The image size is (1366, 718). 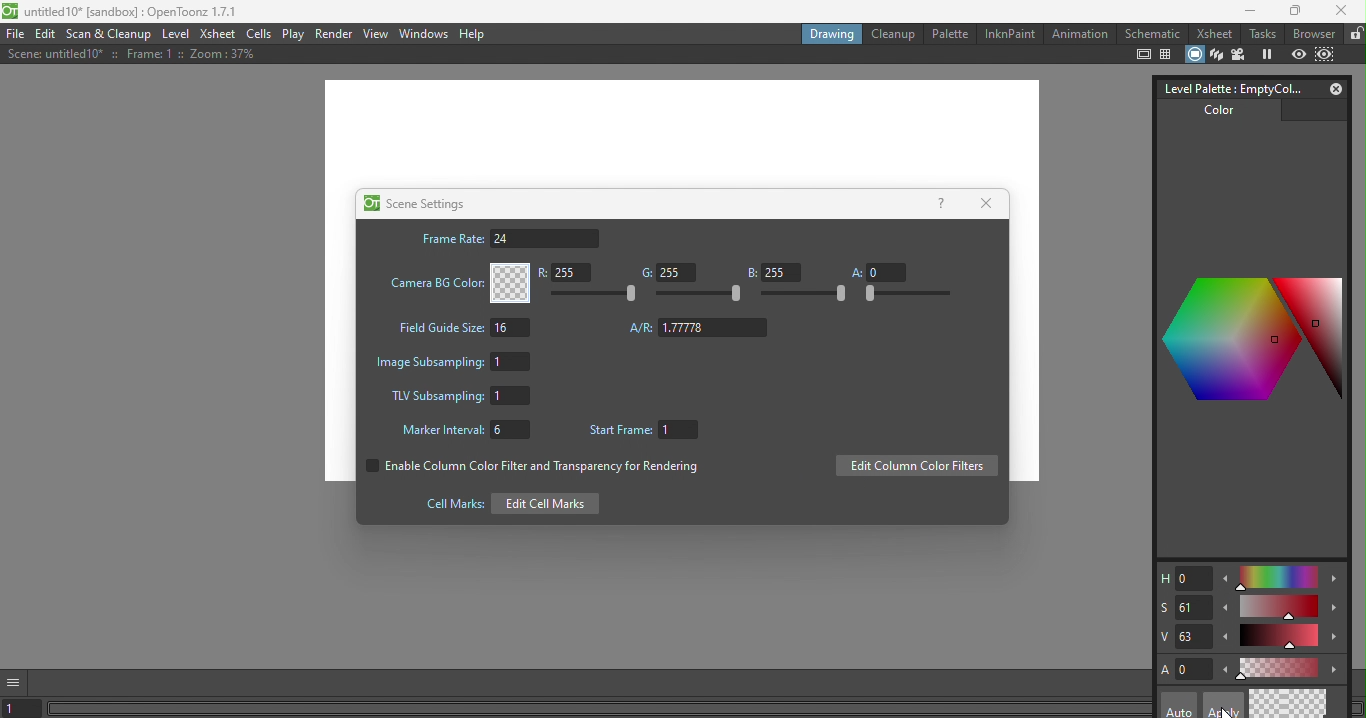 I want to click on Xsheet, so click(x=216, y=34).